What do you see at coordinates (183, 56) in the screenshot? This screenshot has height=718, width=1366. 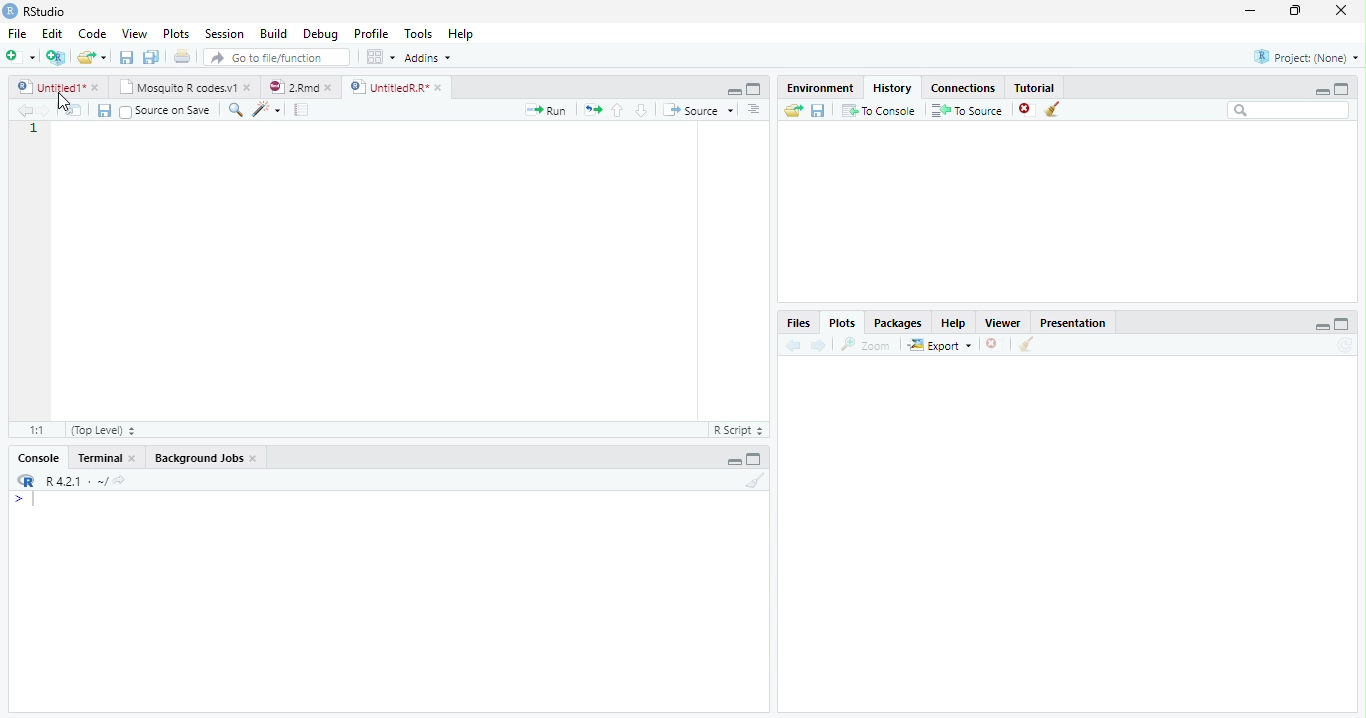 I see `Print the current file` at bounding box center [183, 56].